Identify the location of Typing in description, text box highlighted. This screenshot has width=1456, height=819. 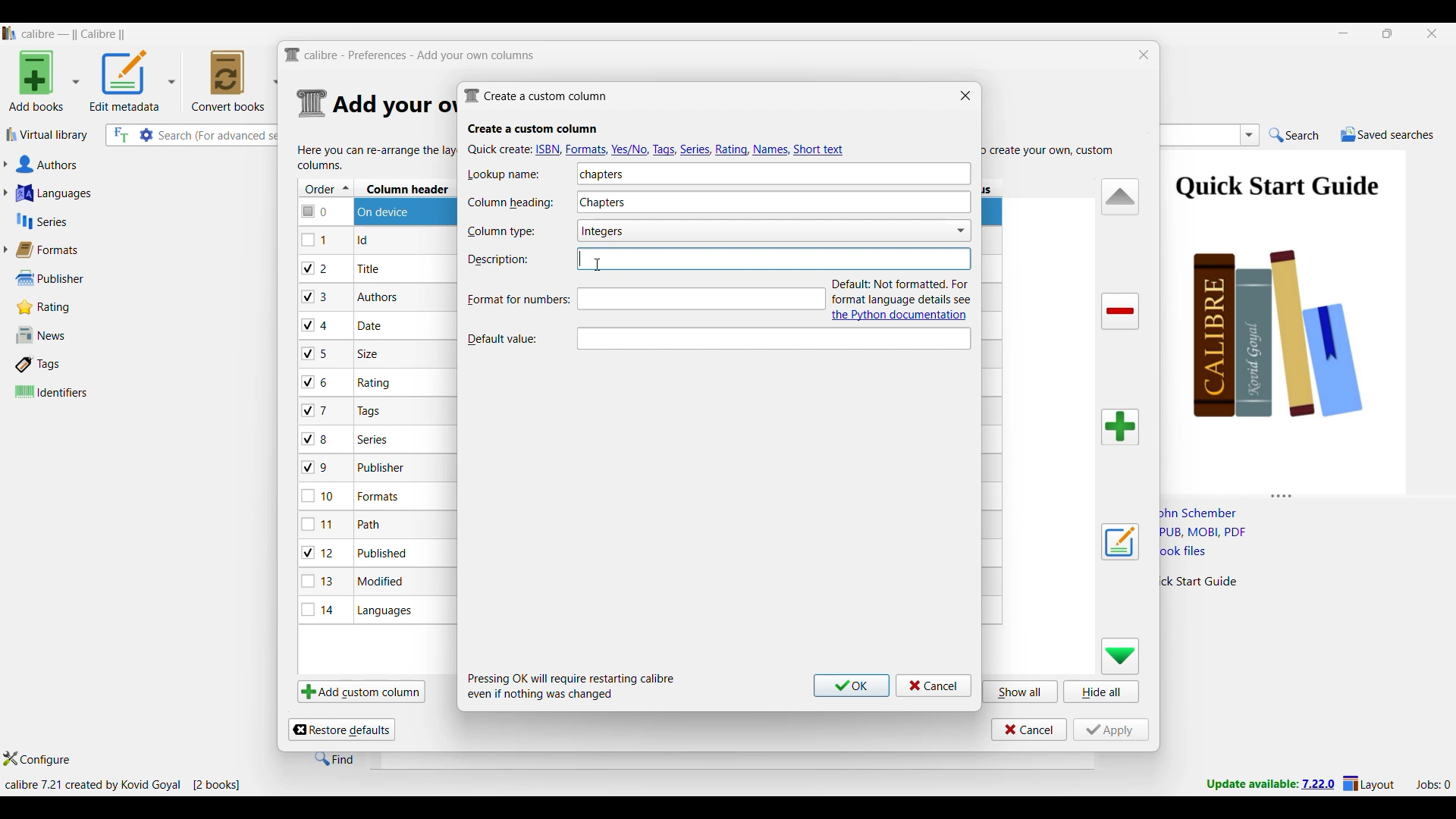
(703, 300).